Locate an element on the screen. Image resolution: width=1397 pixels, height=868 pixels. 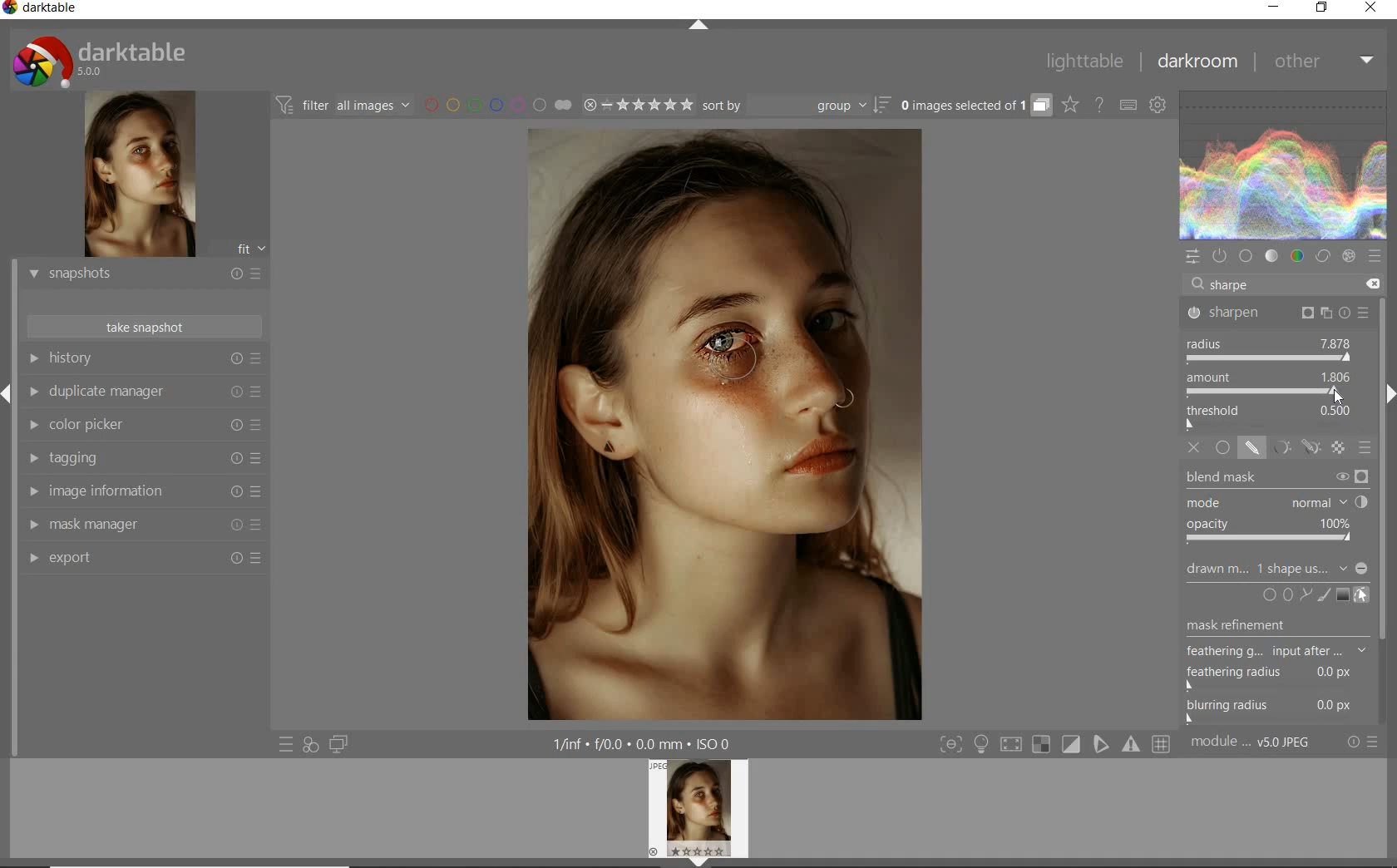
BLEND MASK is located at coordinates (1277, 479).